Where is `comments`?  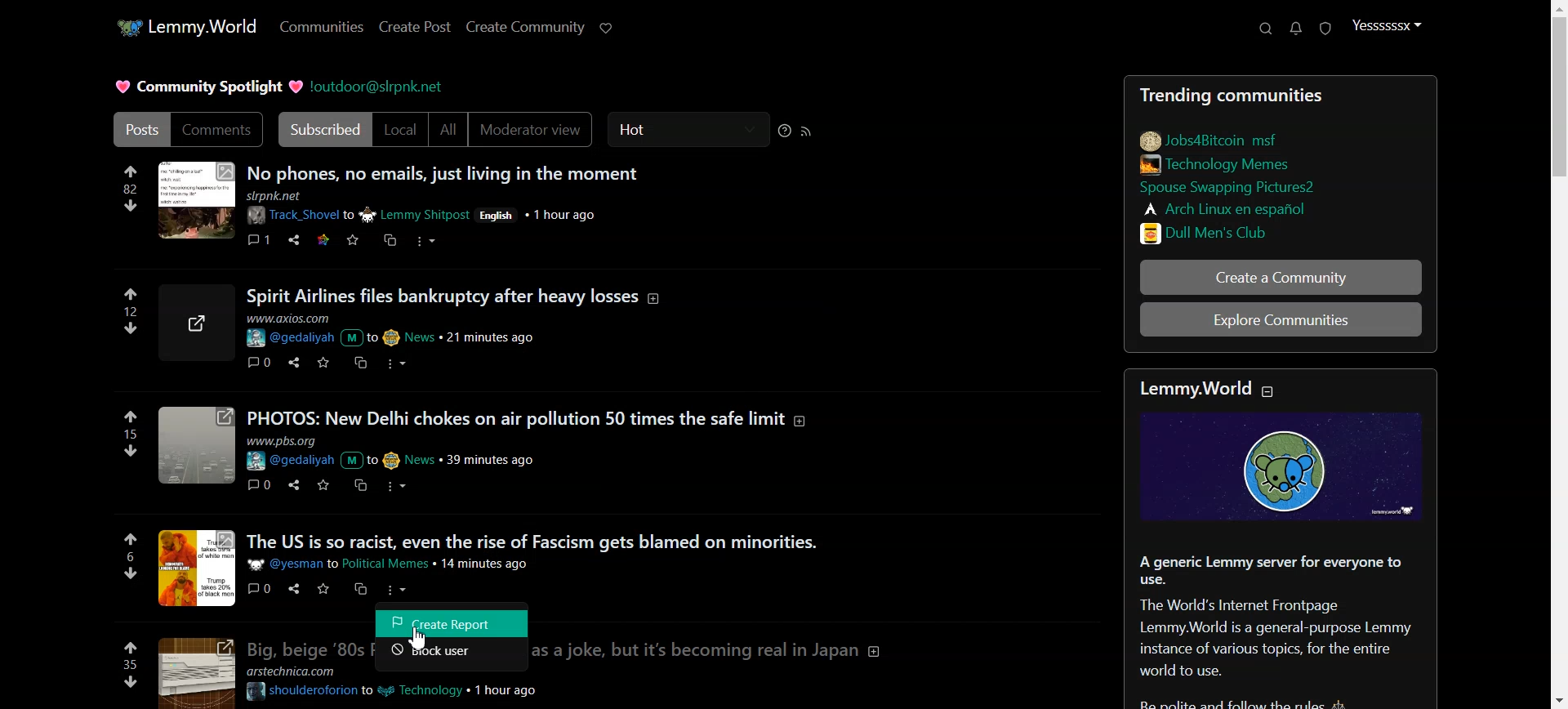 comments is located at coordinates (259, 238).